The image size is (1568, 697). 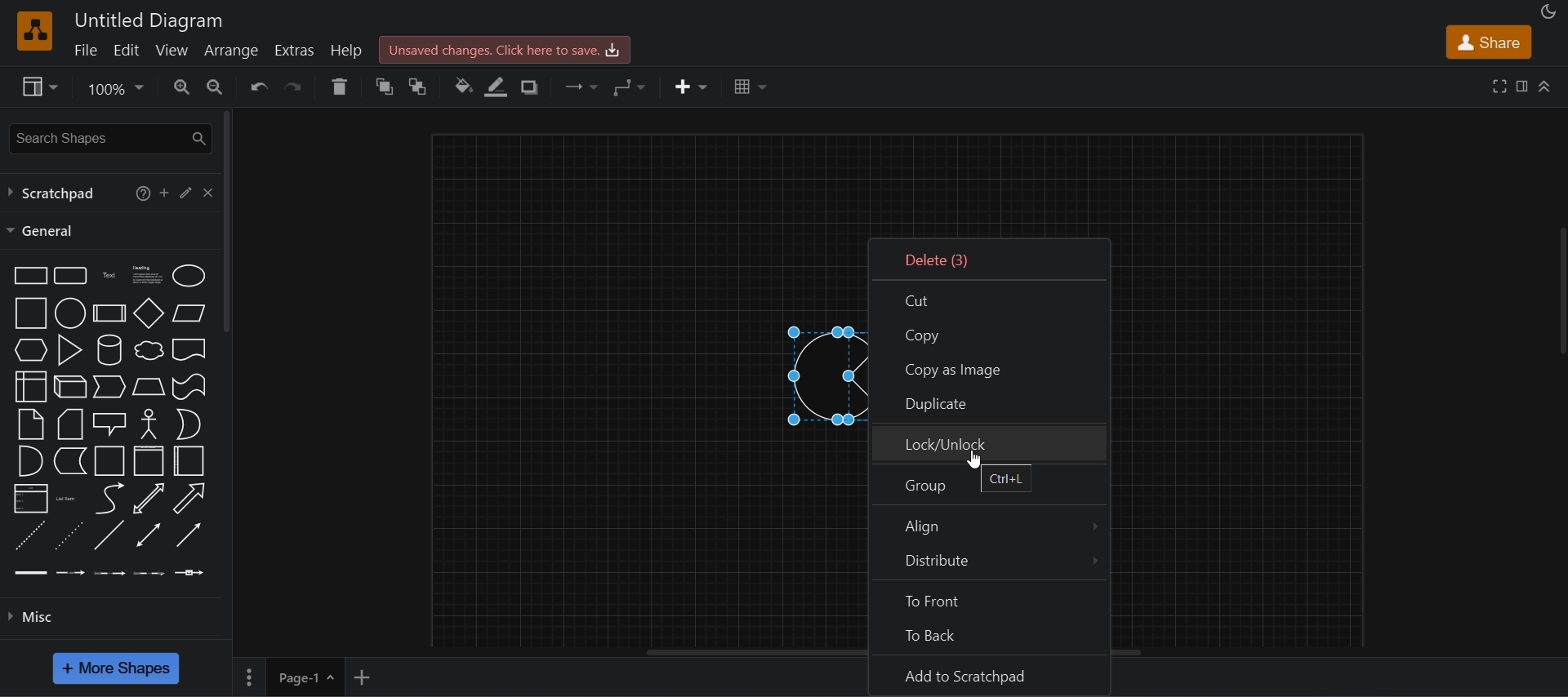 What do you see at coordinates (990, 300) in the screenshot?
I see `cut` at bounding box center [990, 300].